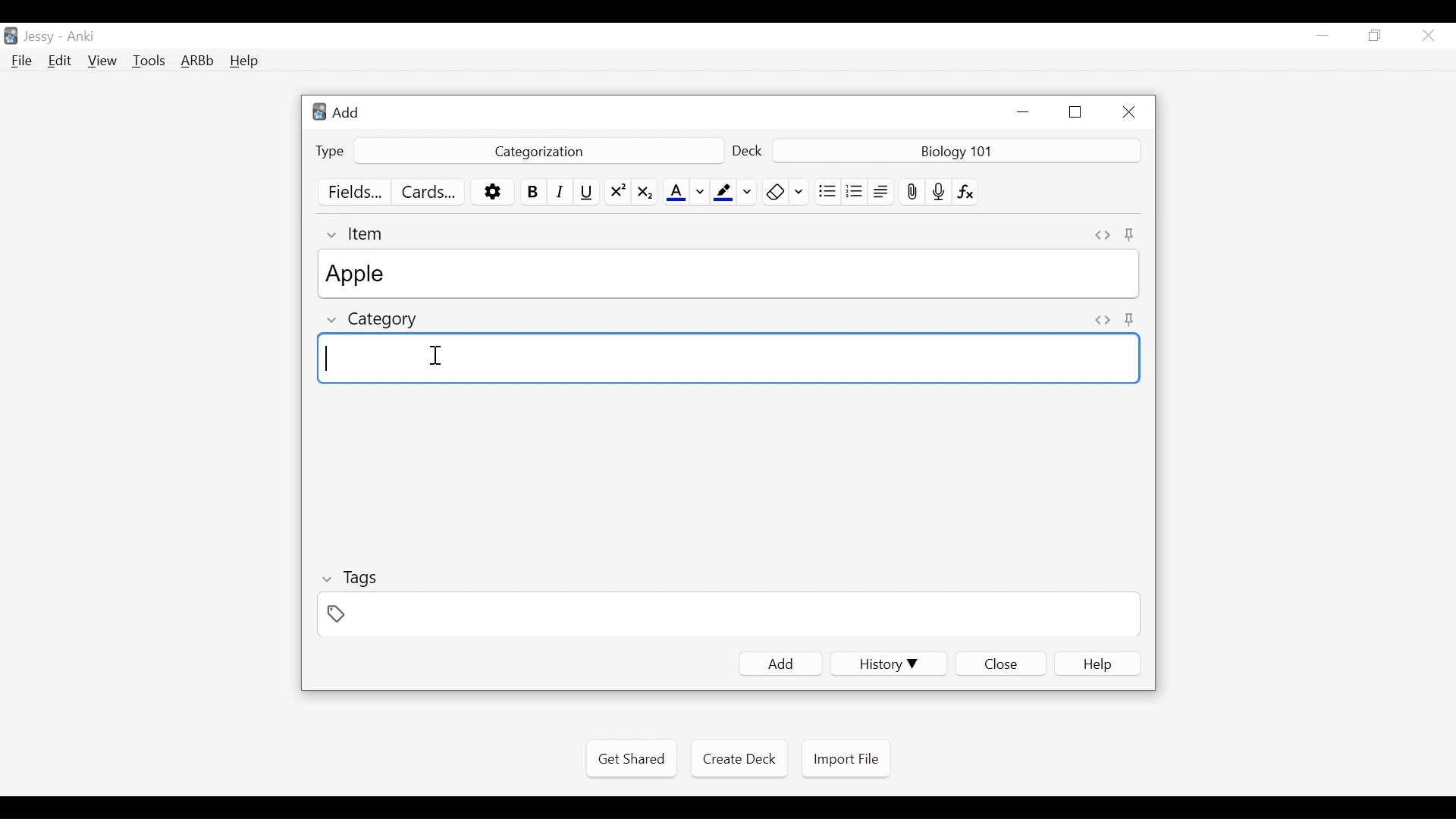 Image resolution: width=1456 pixels, height=819 pixels. Describe the element at coordinates (81, 36) in the screenshot. I see `Anki` at that location.